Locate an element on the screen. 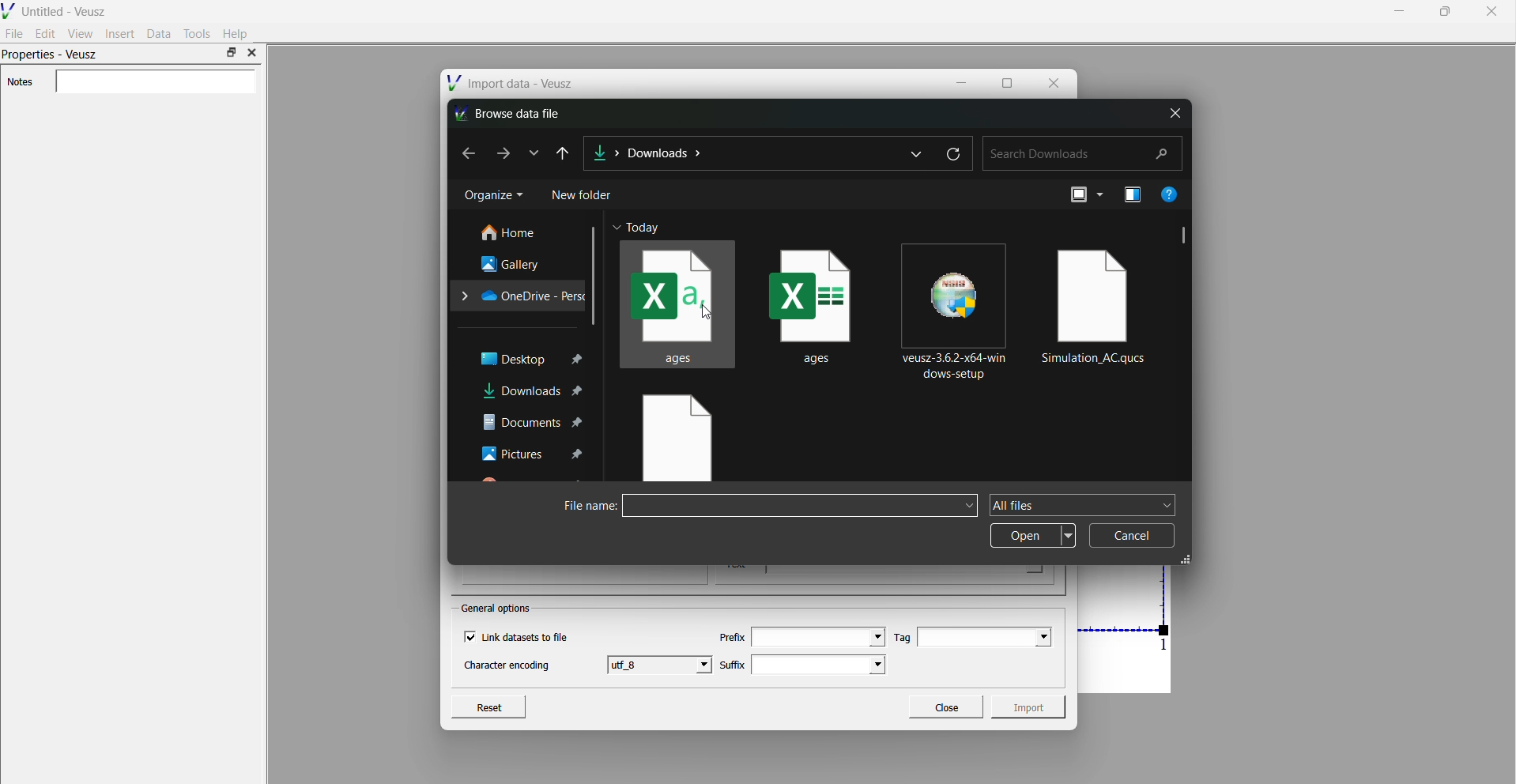 This screenshot has height=784, width=1516. Import is located at coordinates (1031, 707).